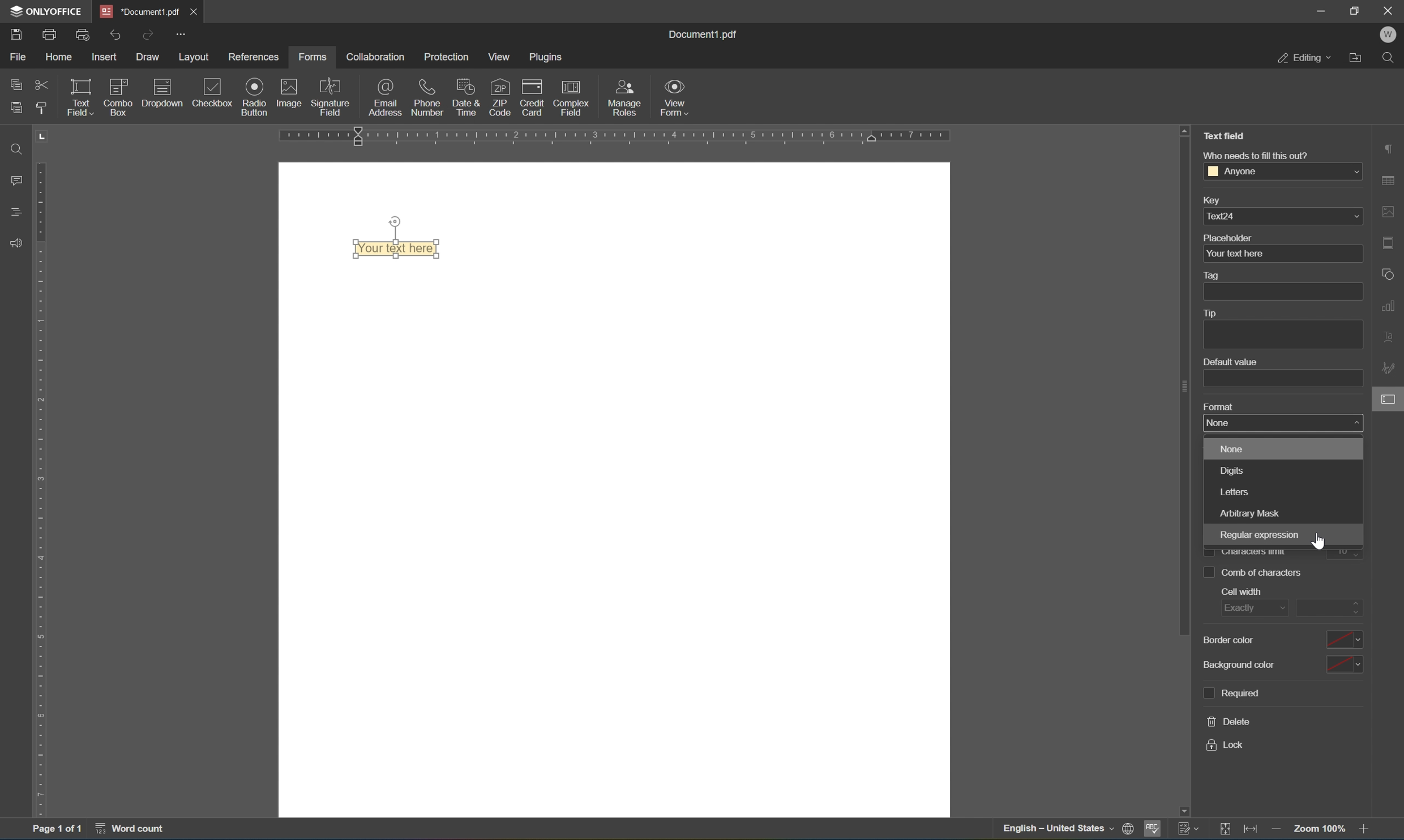 The image size is (1404, 840). Describe the element at coordinates (256, 96) in the screenshot. I see `radio button` at that location.